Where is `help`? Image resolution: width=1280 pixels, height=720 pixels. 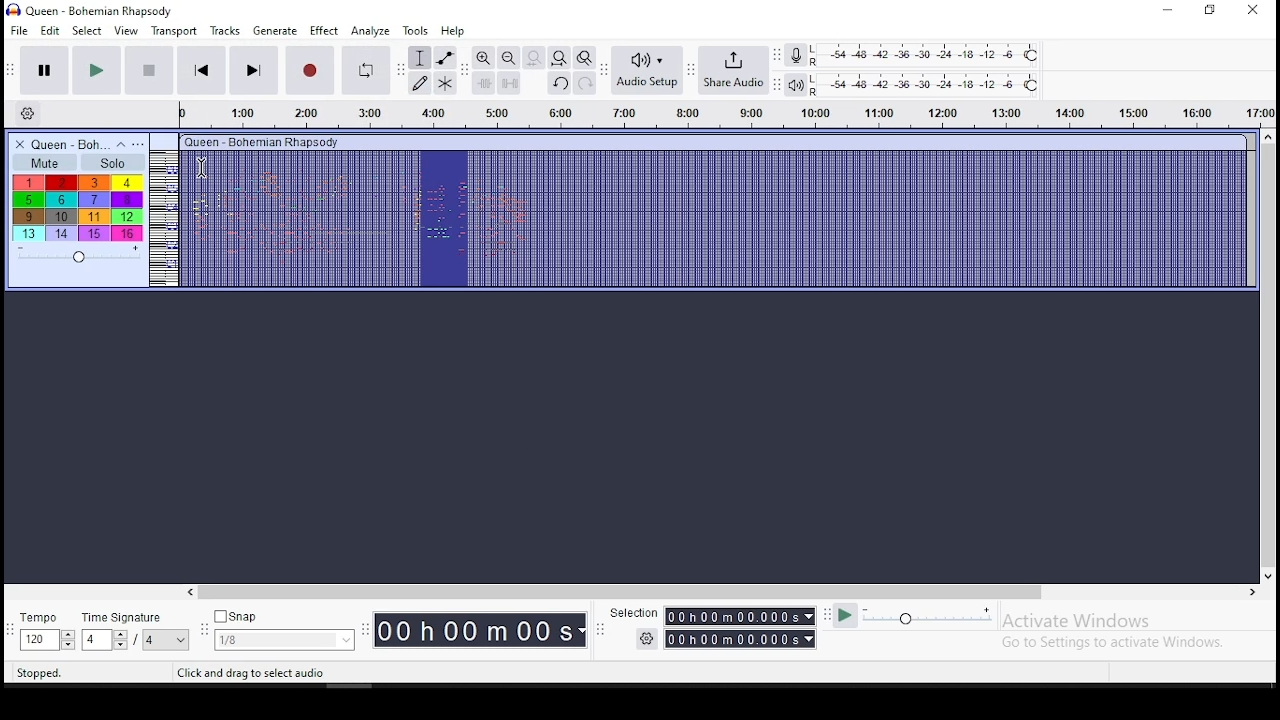
help is located at coordinates (451, 31).